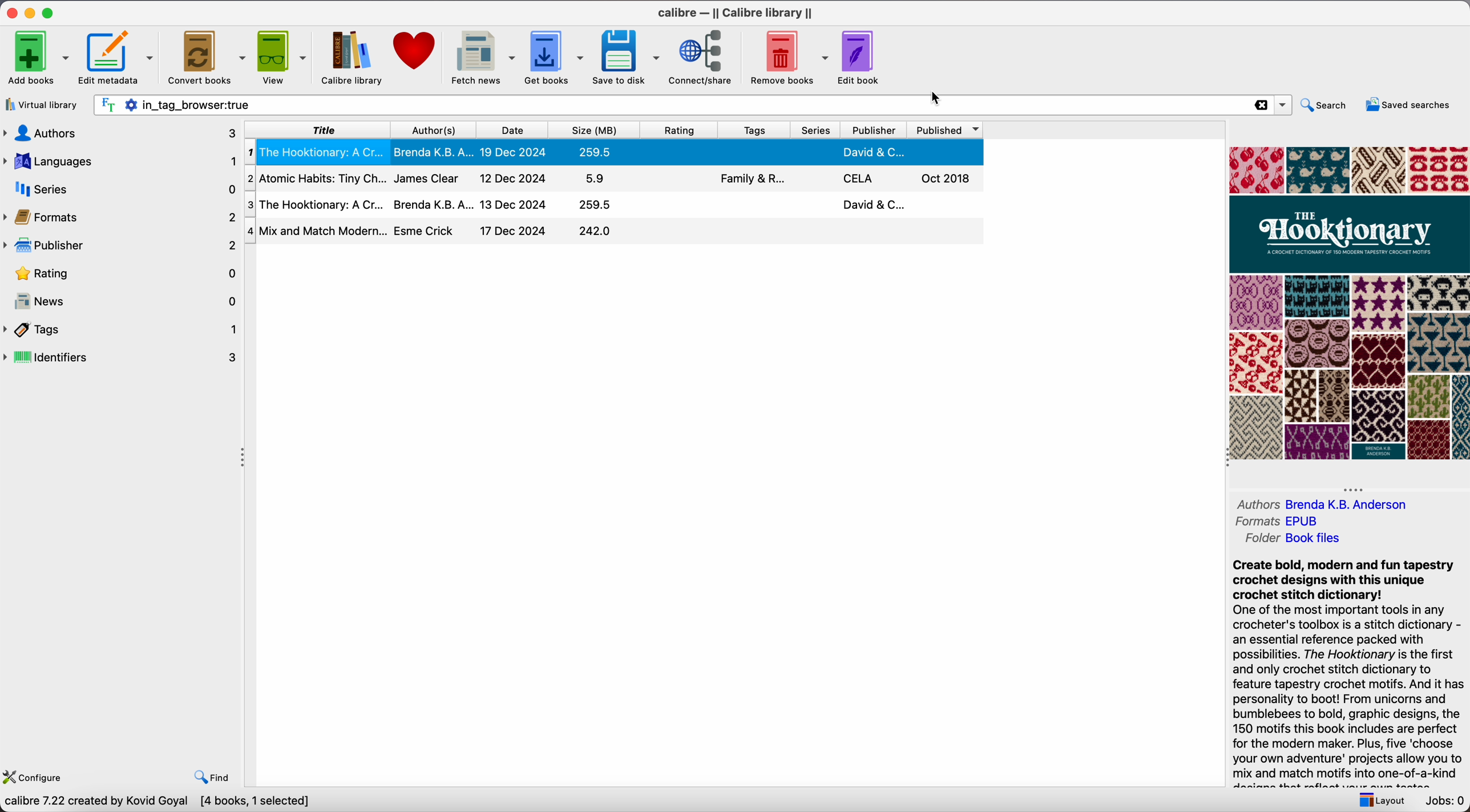  Describe the element at coordinates (122, 218) in the screenshot. I see `formats` at that location.